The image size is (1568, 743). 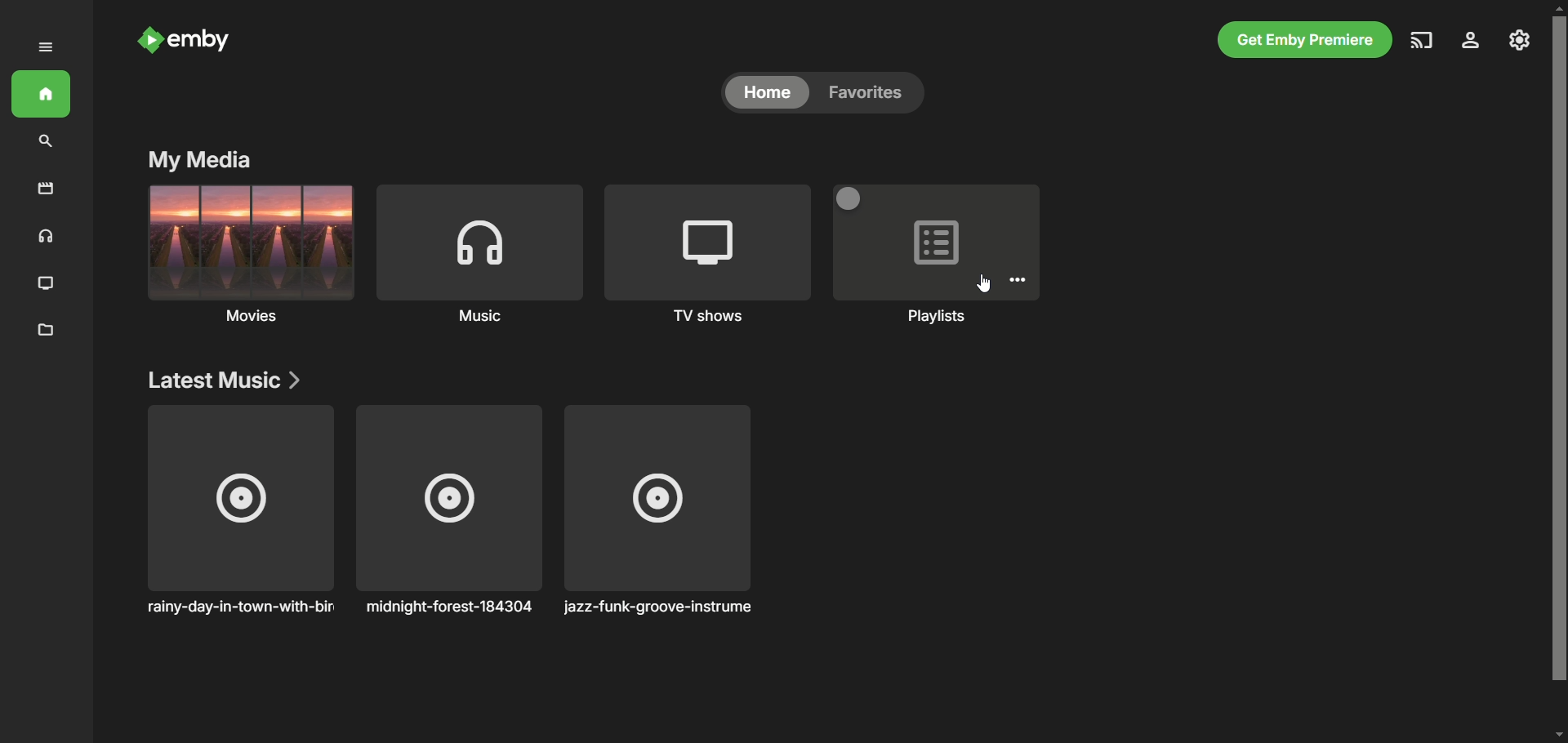 I want to click on search, so click(x=46, y=142).